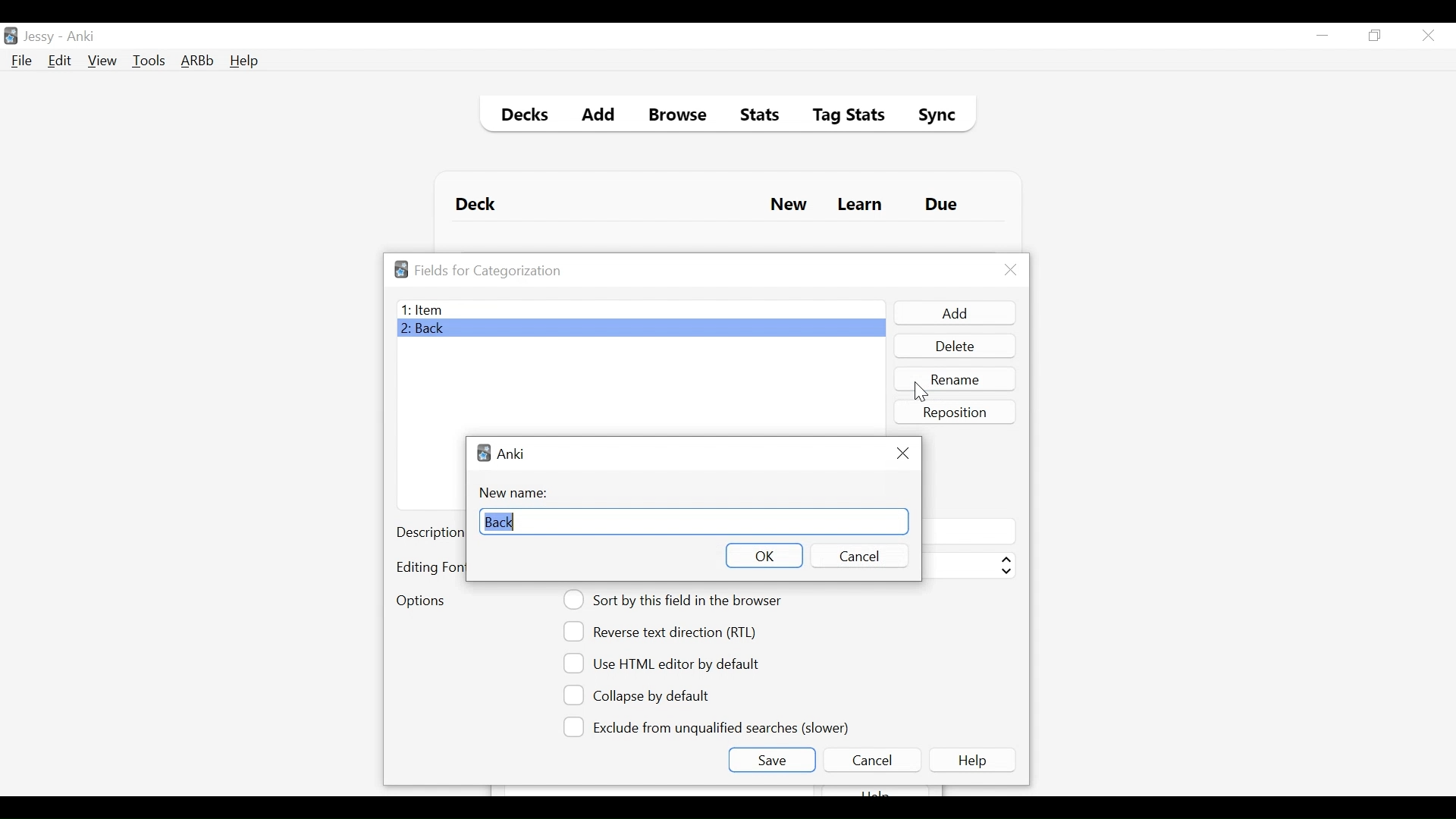 This screenshot has height=819, width=1456. What do you see at coordinates (968, 566) in the screenshot?
I see `Adjust Font Size` at bounding box center [968, 566].